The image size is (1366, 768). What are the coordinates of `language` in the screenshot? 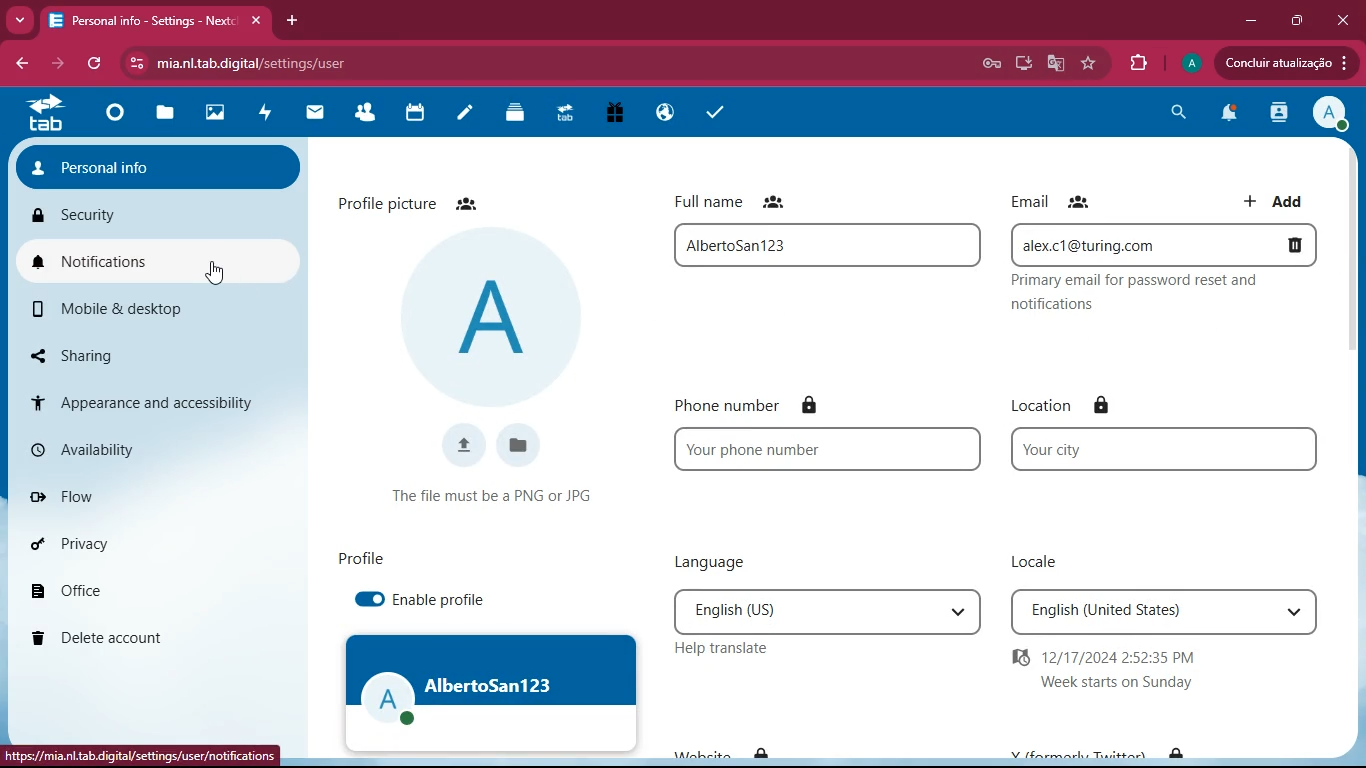 It's located at (716, 563).